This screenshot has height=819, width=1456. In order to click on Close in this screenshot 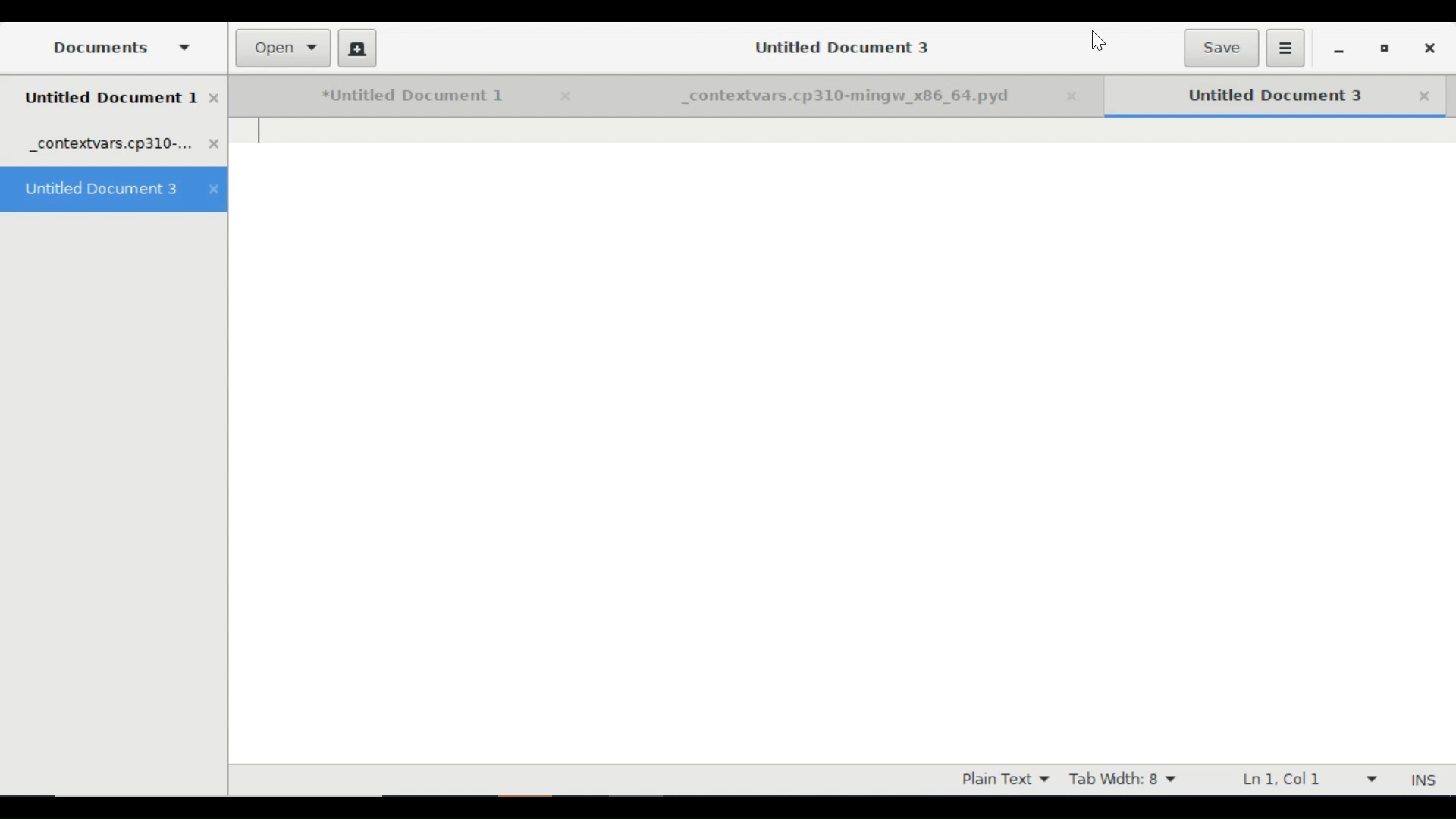, I will do `click(562, 96)`.